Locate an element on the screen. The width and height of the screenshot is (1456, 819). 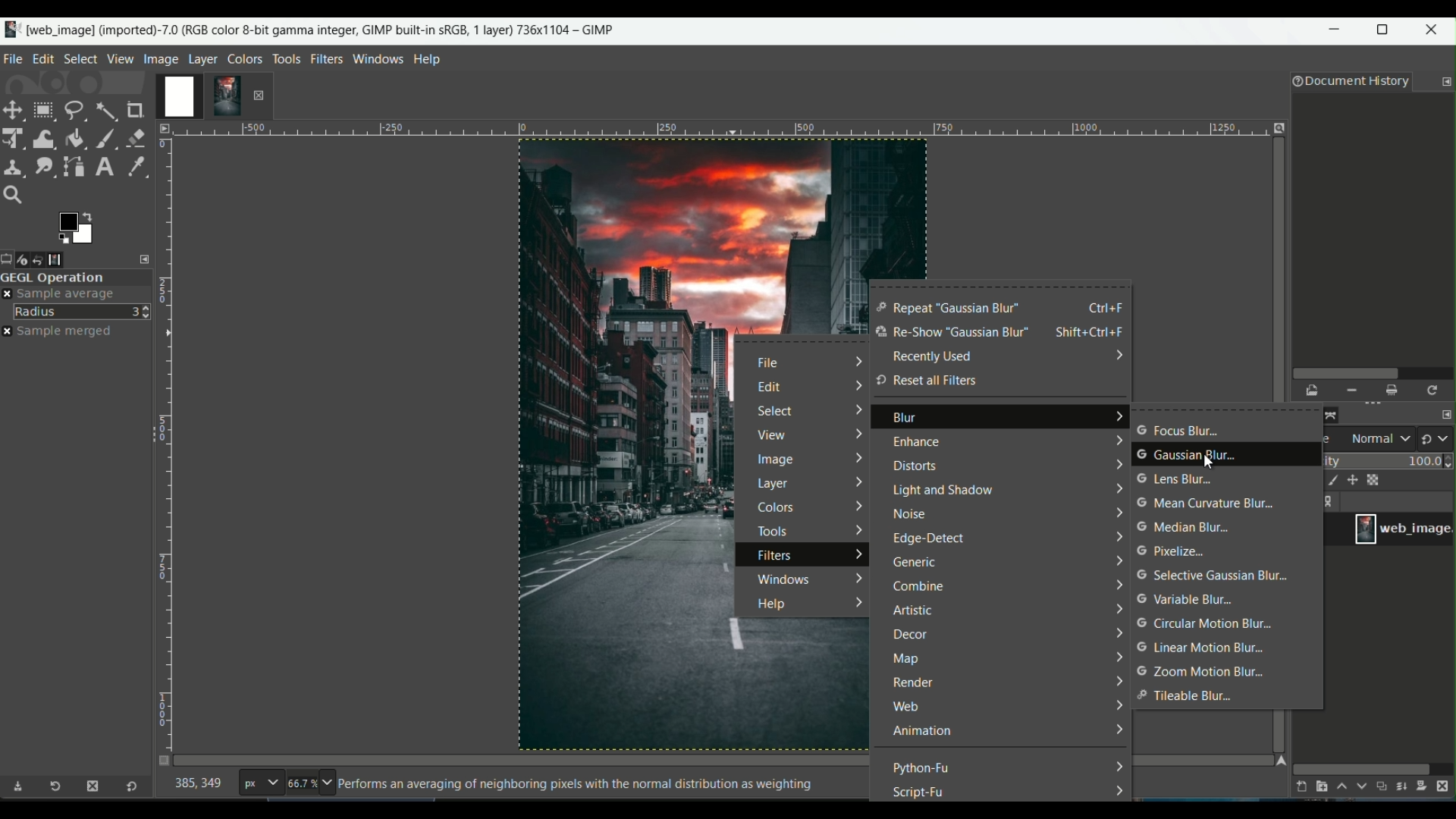
blur is located at coordinates (905, 421).